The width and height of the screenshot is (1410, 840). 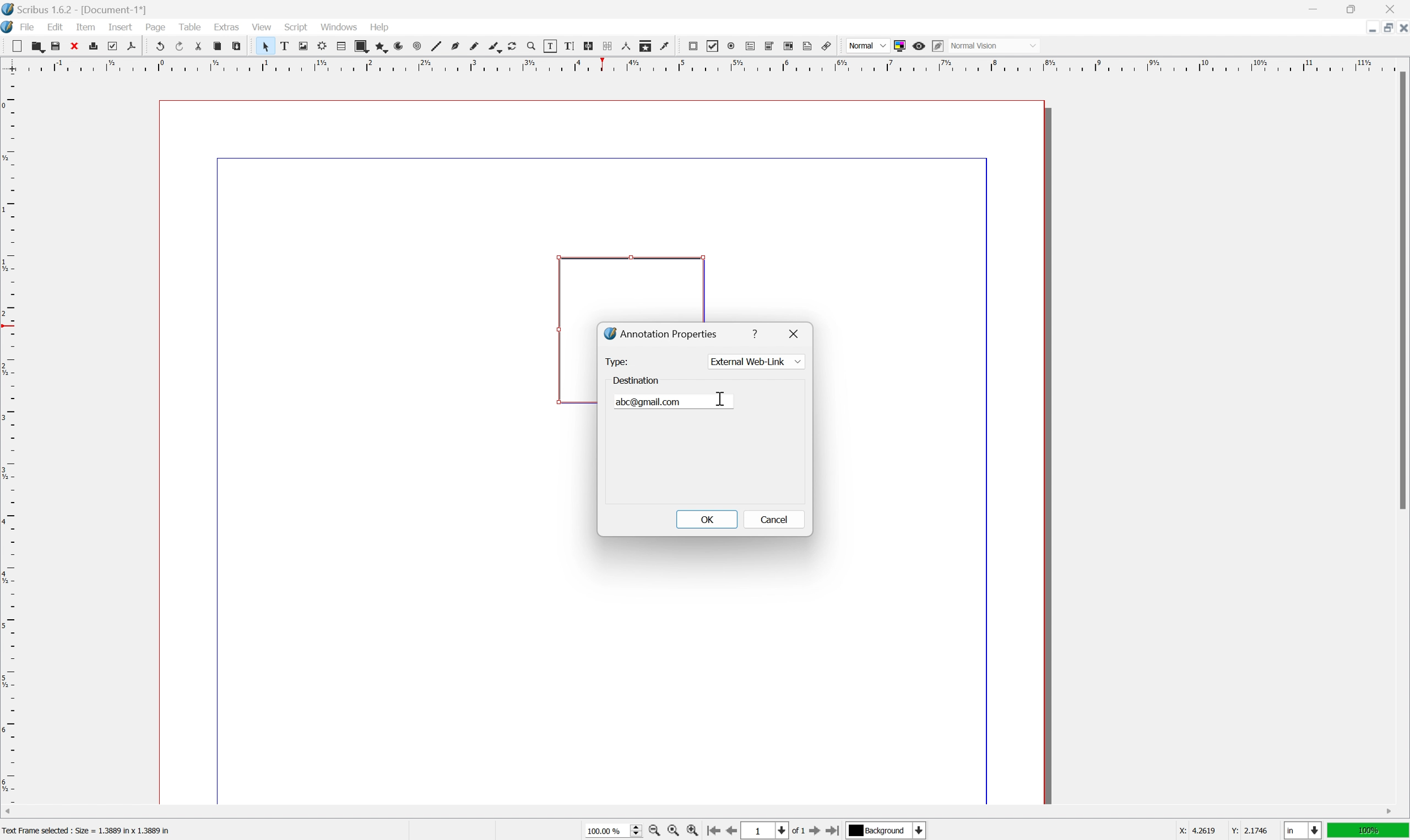 What do you see at coordinates (713, 47) in the screenshot?
I see `pdf checkbox` at bounding box center [713, 47].